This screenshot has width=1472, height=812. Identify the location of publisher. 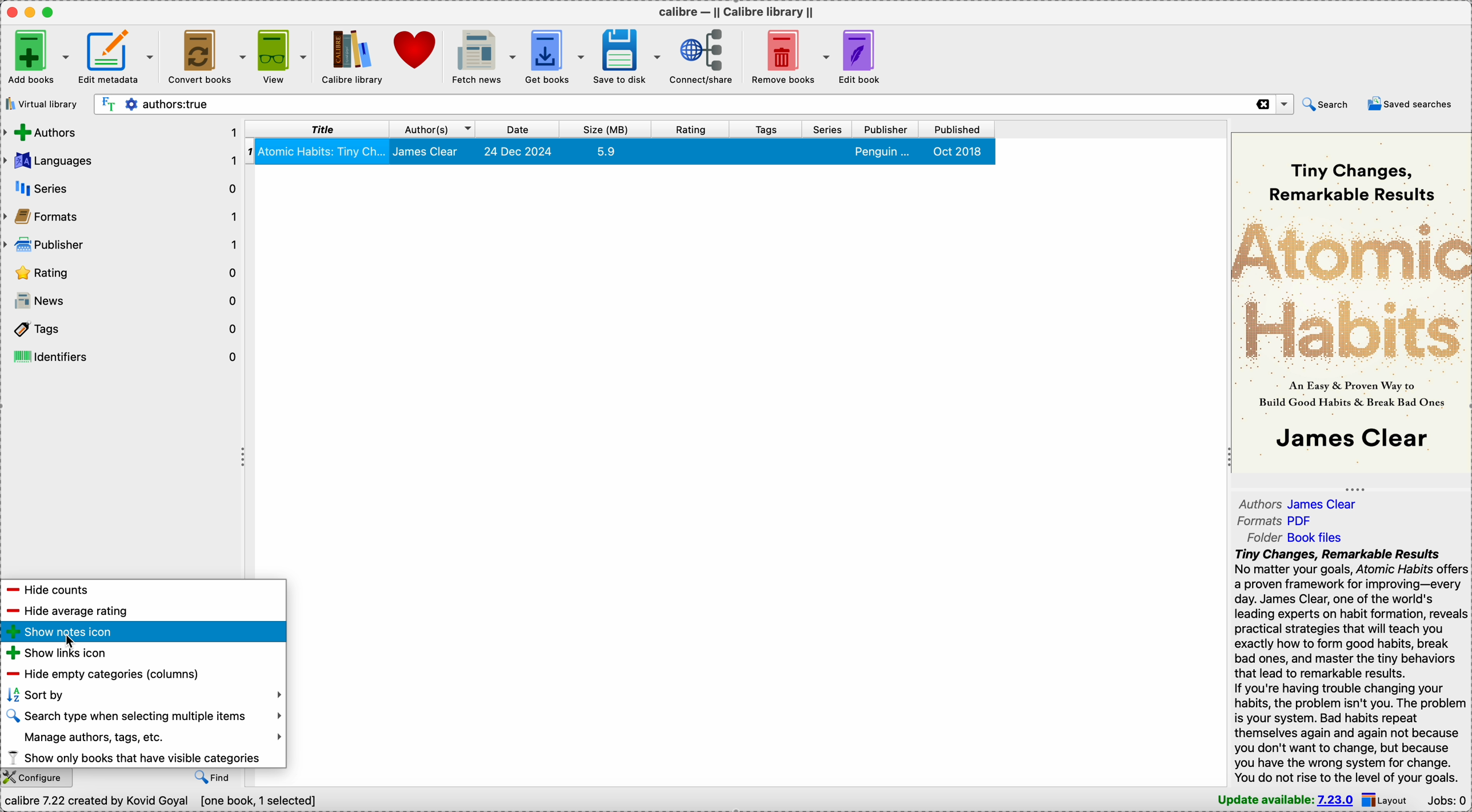
(122, 243).